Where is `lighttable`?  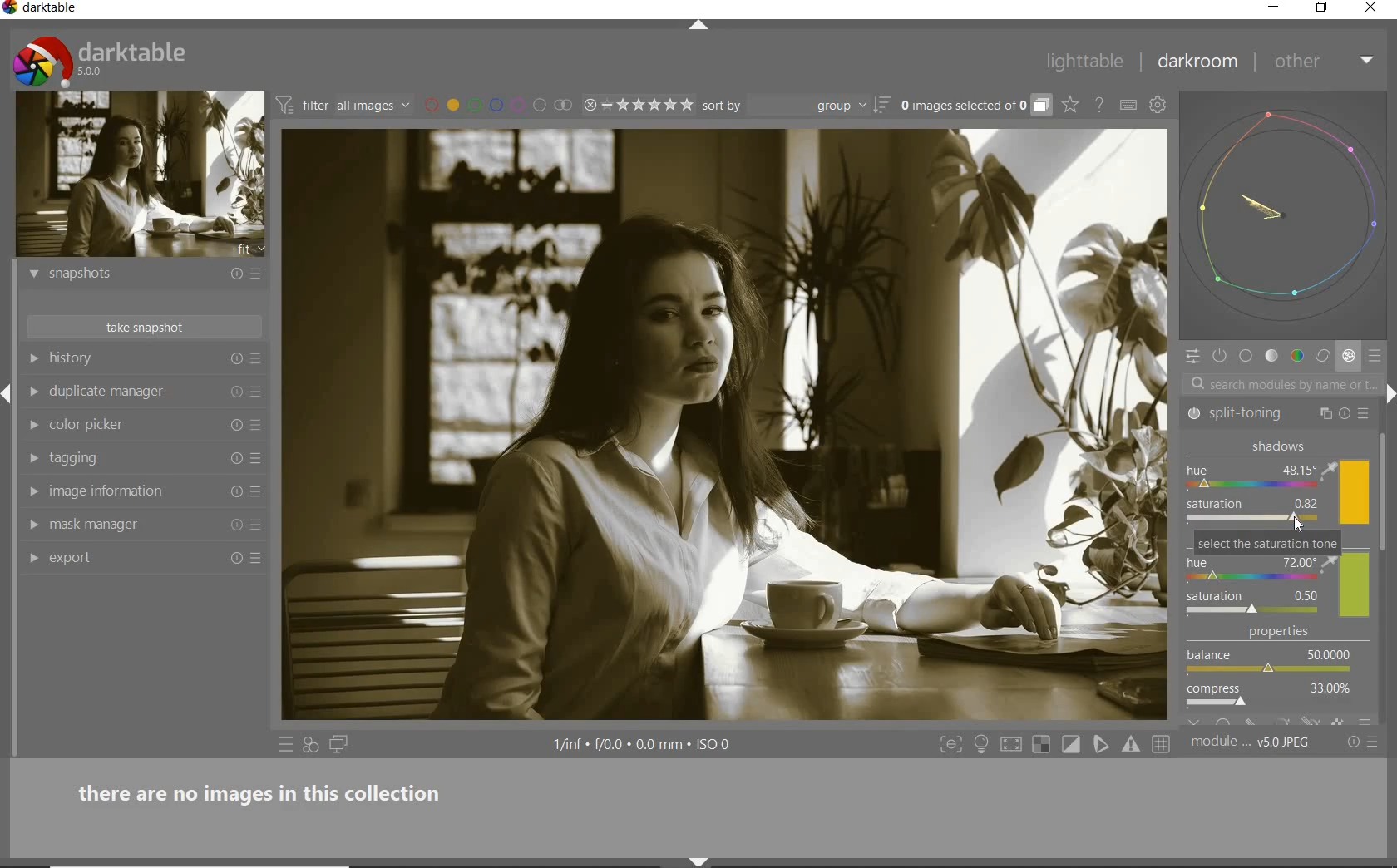 lighttable is located at coordinates (1085, 64).